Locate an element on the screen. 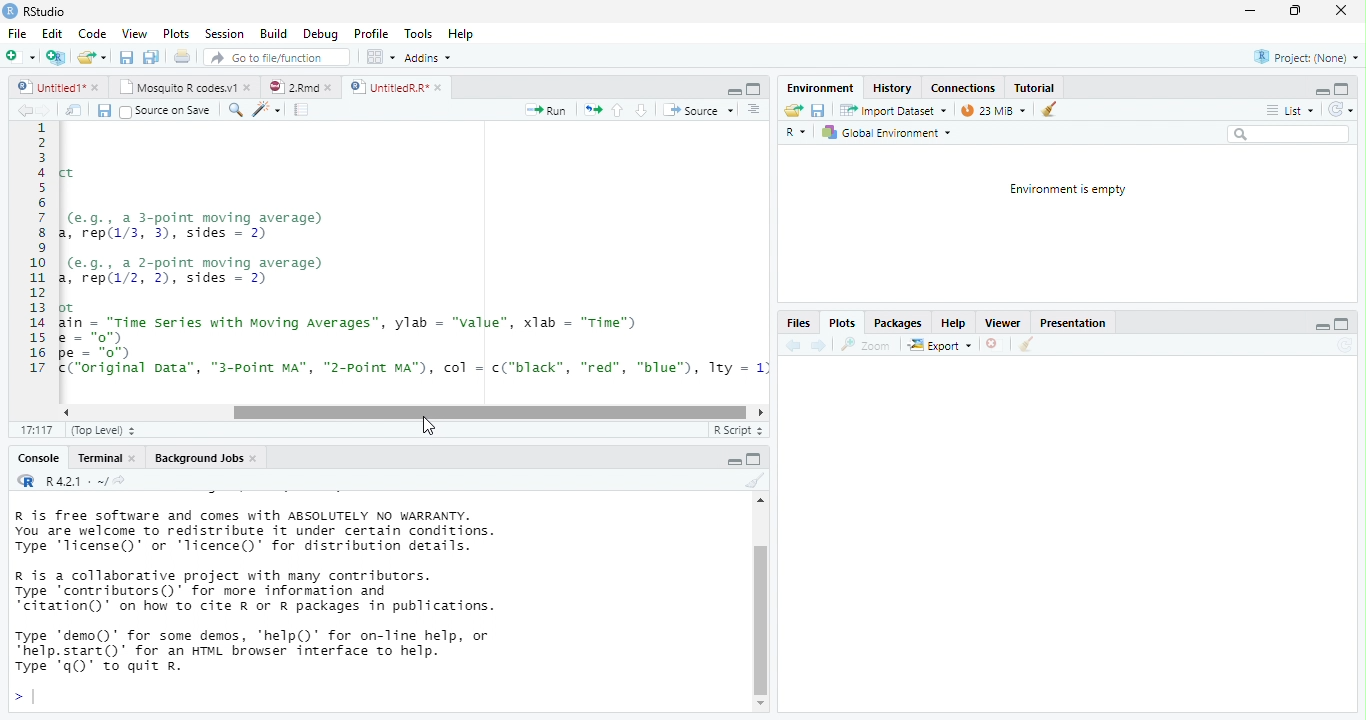 Image resolution: width=1366 pixels, height=720 pixels. show in window is located at coordinates (75, 110).